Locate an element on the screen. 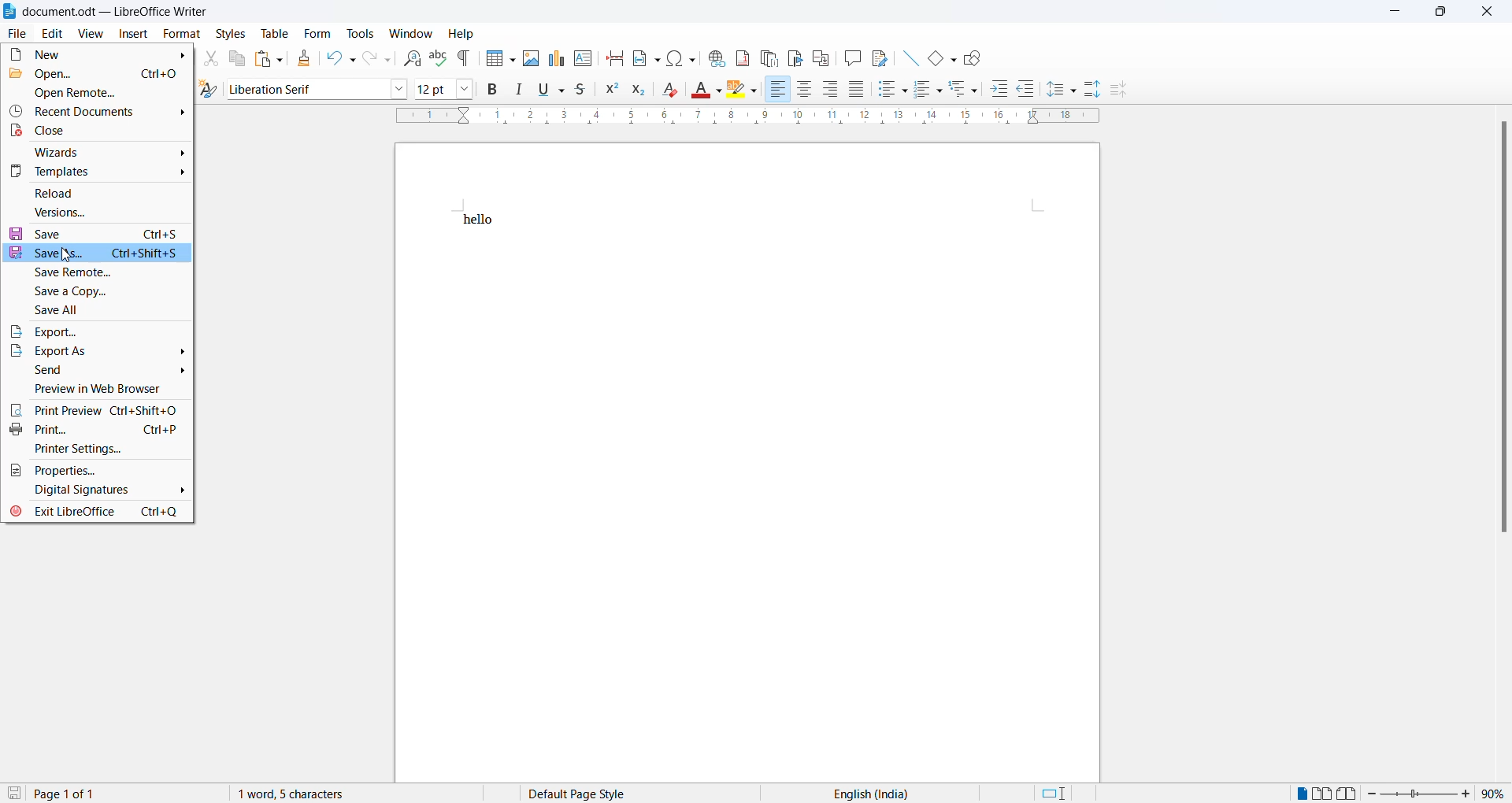  Paste options is located at coordinates (269, 59).